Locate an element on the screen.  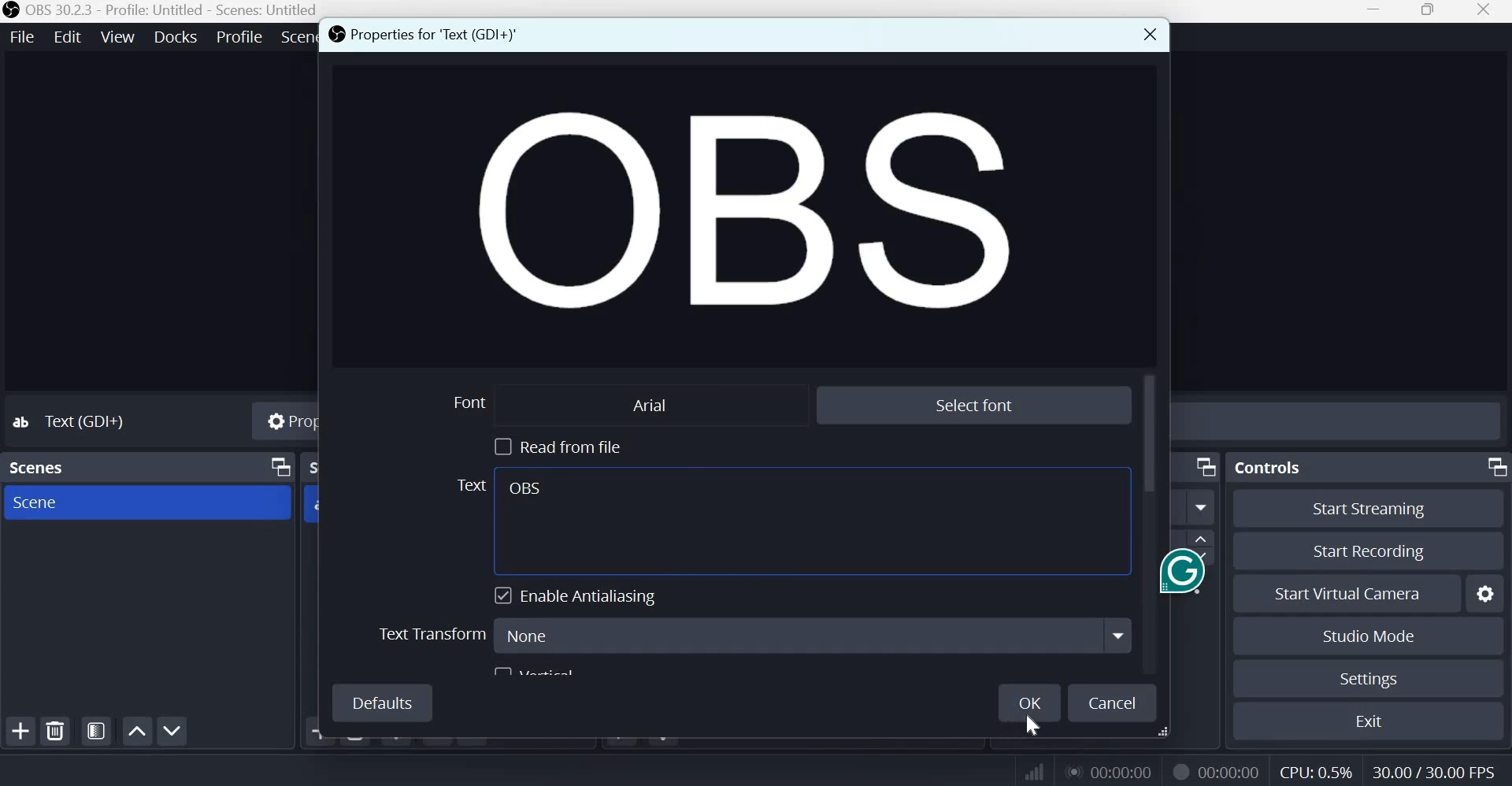
CPU: 0.5% is located at coordinates (1317, 769).